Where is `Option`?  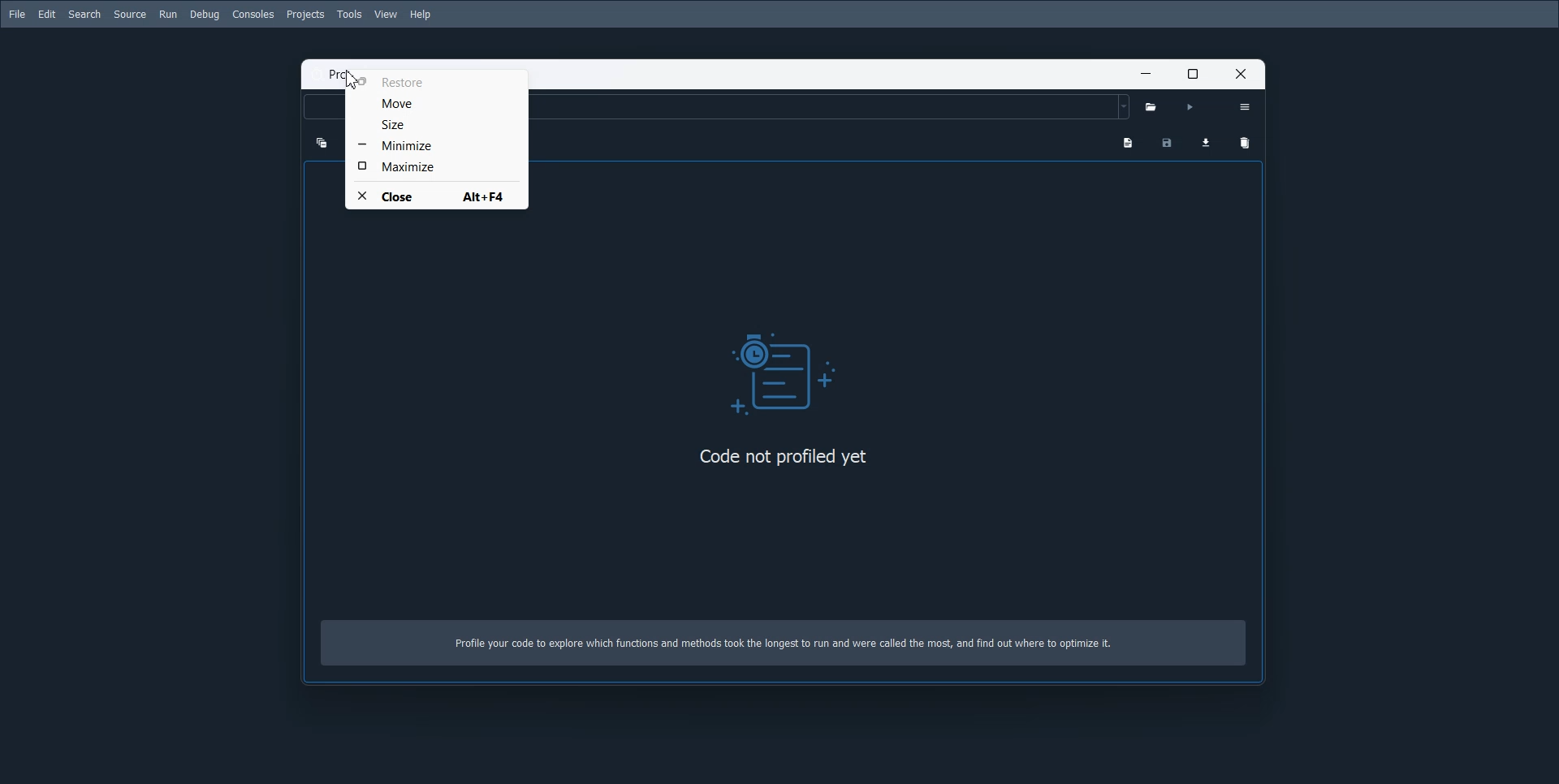 Option is located at coordinates (1244, 106).